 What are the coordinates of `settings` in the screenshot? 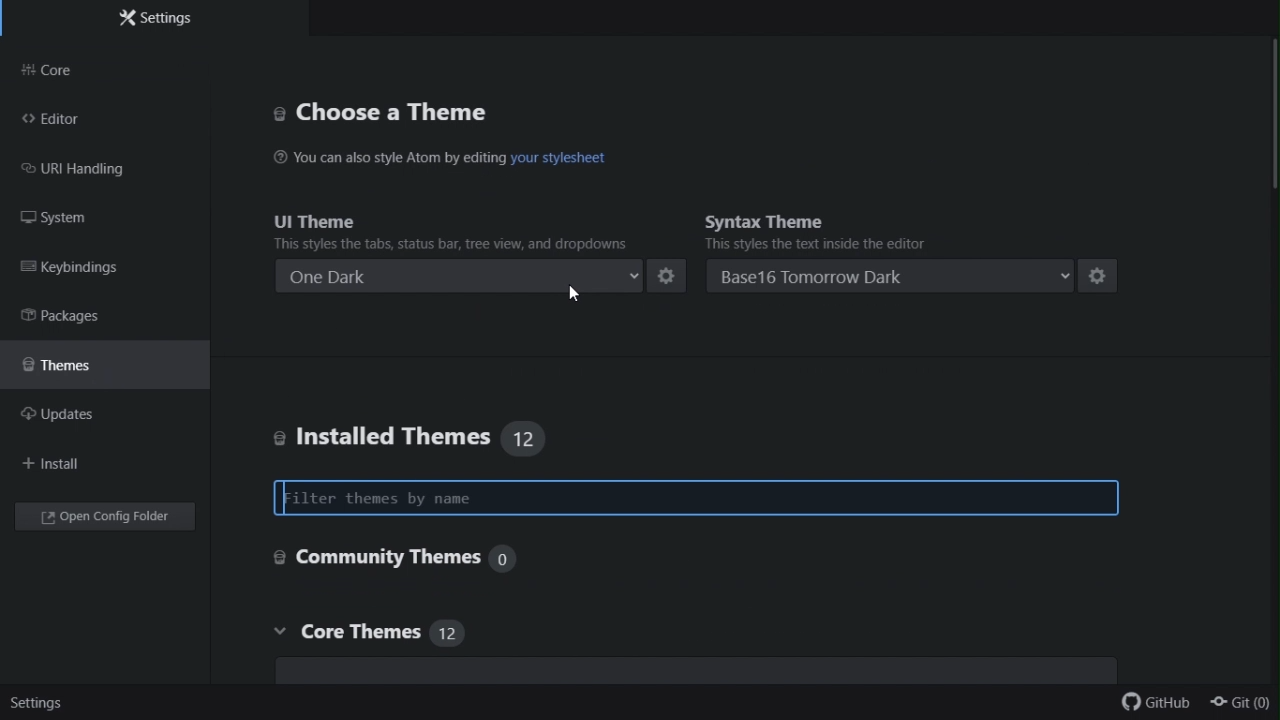 It's located at (1103, 274).